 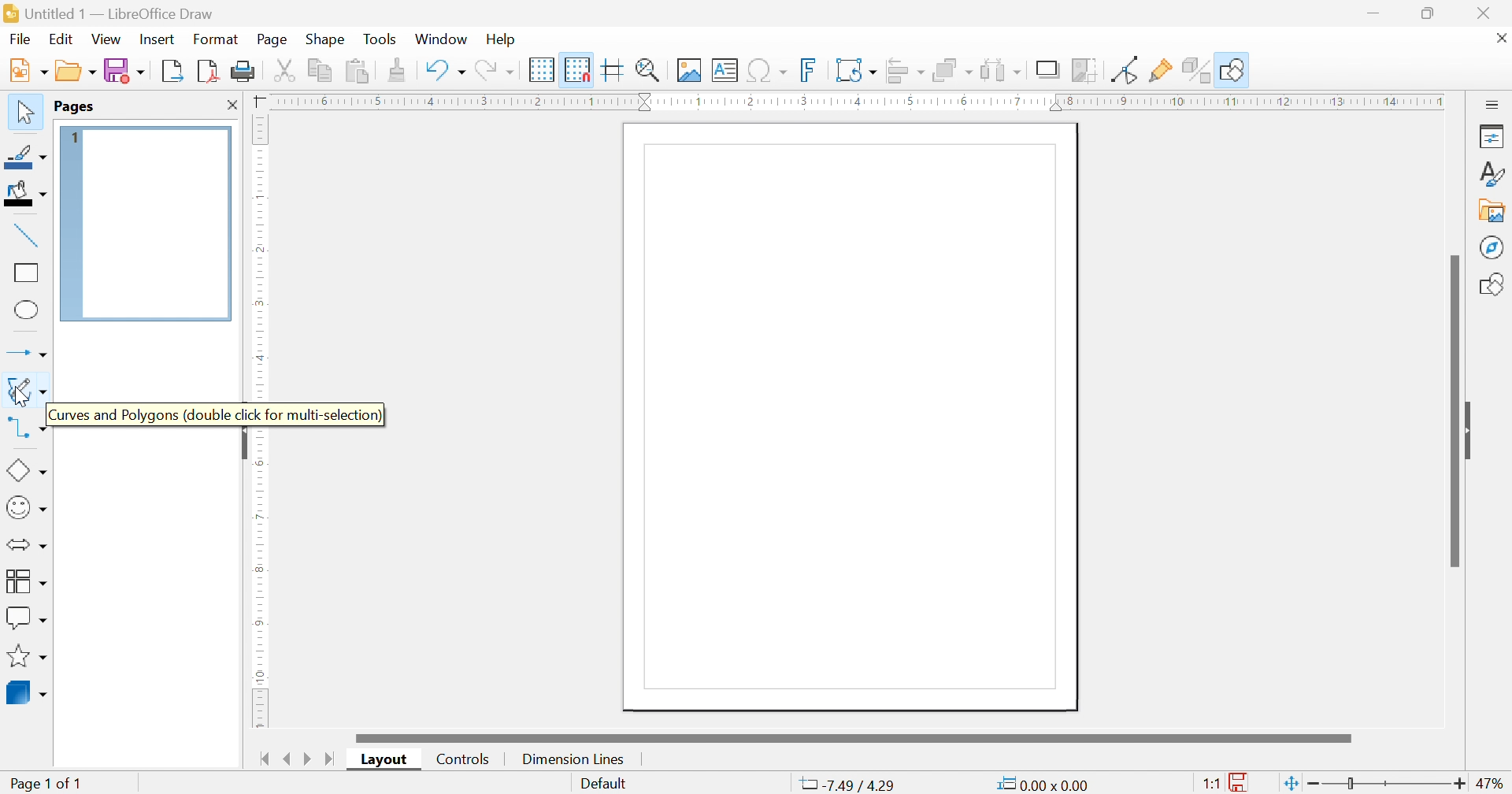 What do you see at coordinates (216, 414) in the screenshot?
I see `curves and polygons (double click for multi-selection)` at bounding box center [216, 414].